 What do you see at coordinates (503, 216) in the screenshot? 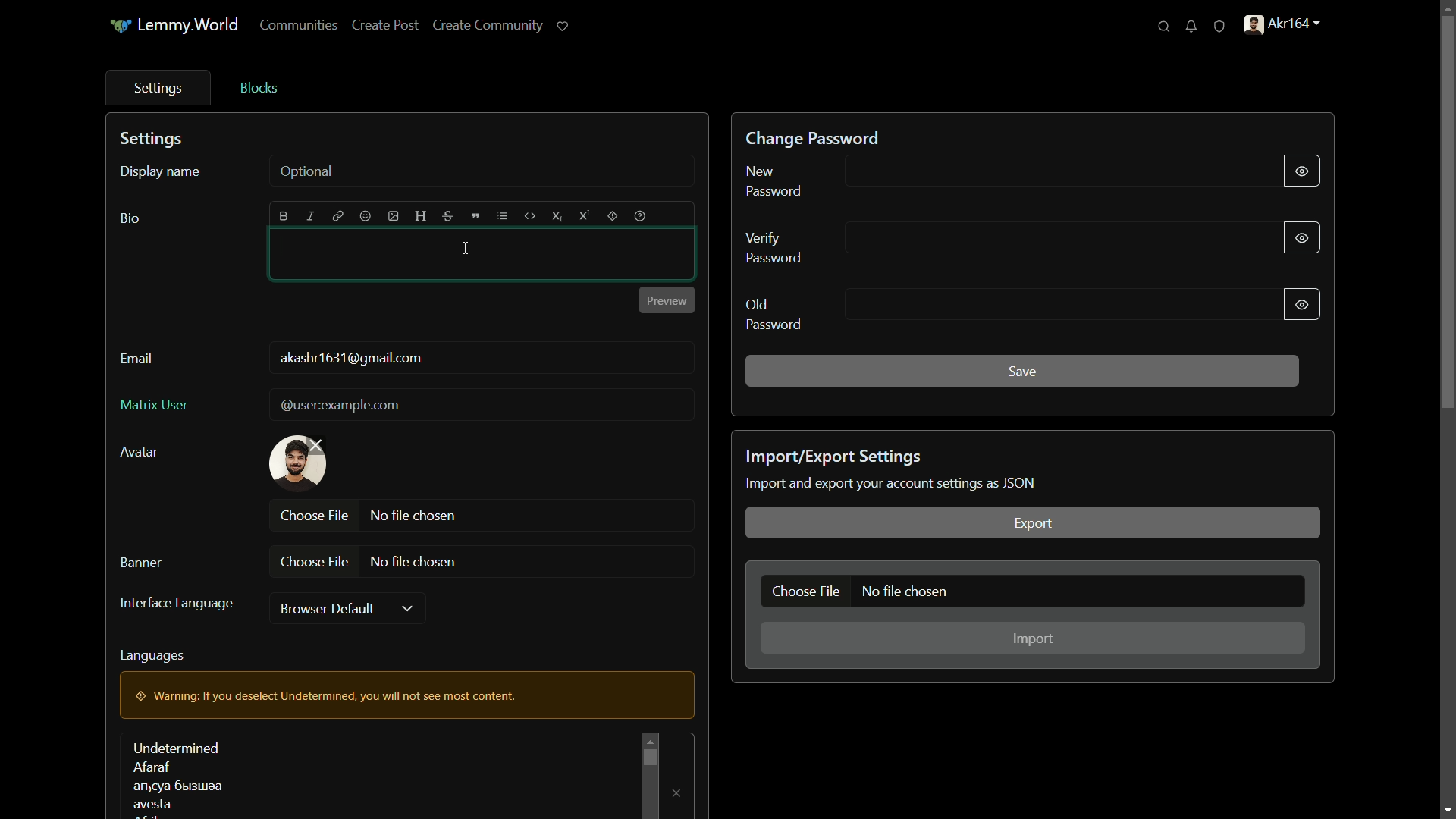
I see `list` at bounding box center [503, 216].